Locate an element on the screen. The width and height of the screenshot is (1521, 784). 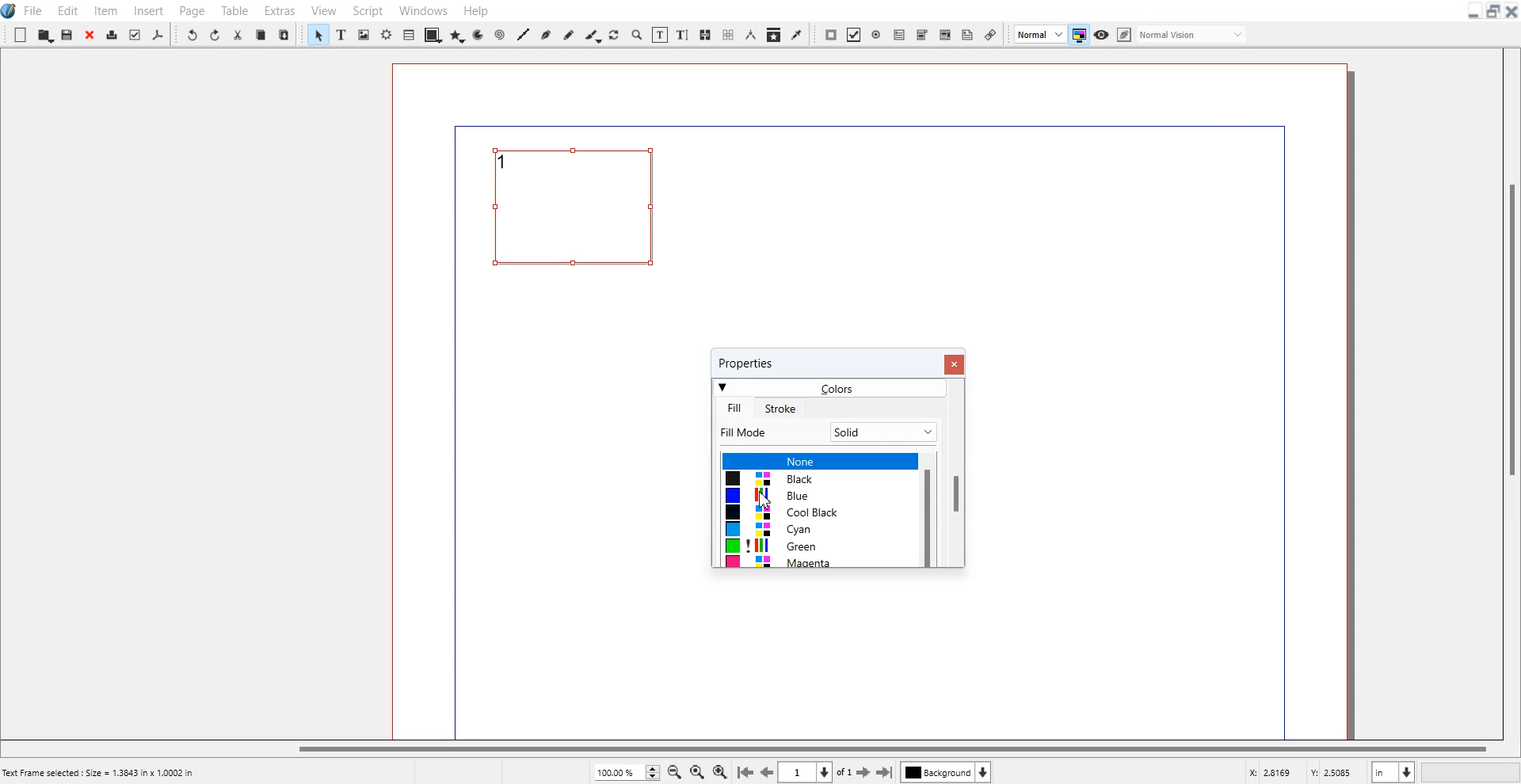
Spiral is located at coordinates (498, 34).